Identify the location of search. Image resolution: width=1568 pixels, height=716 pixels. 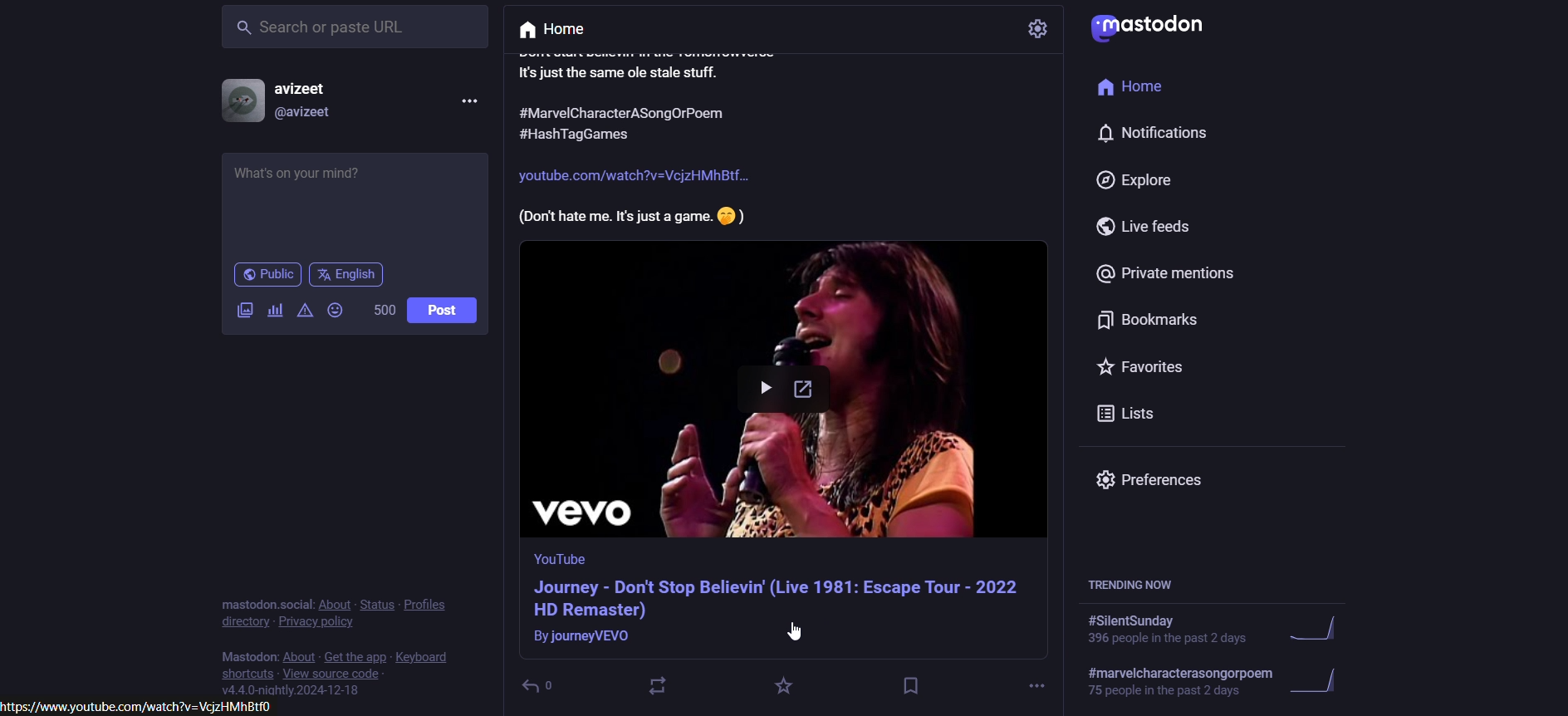
(356, 27).